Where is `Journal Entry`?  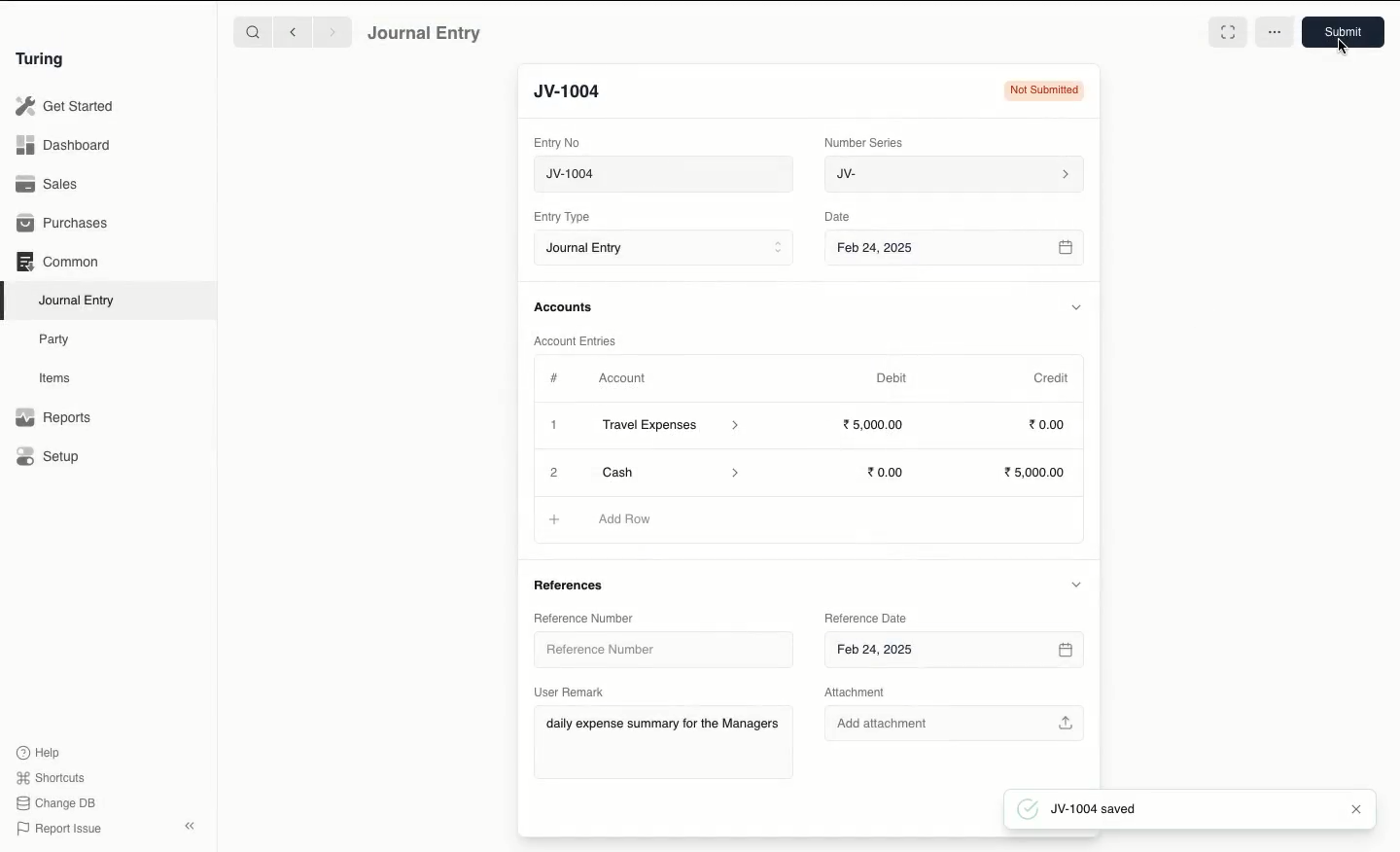 Journal Entry is located at coordinates (663, 247).